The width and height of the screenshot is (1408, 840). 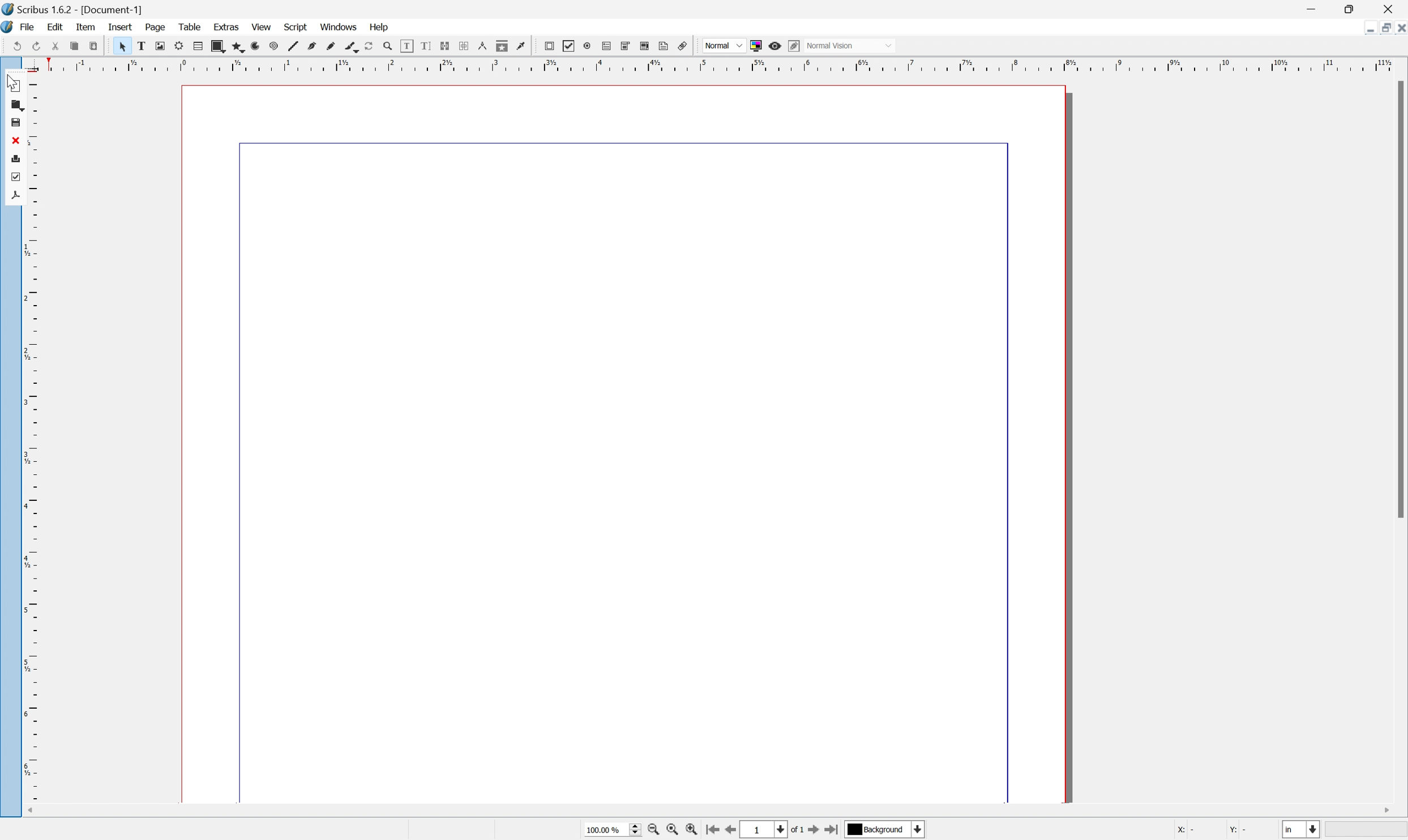 I want to click on save as pdf, so click(x=14, y=195).